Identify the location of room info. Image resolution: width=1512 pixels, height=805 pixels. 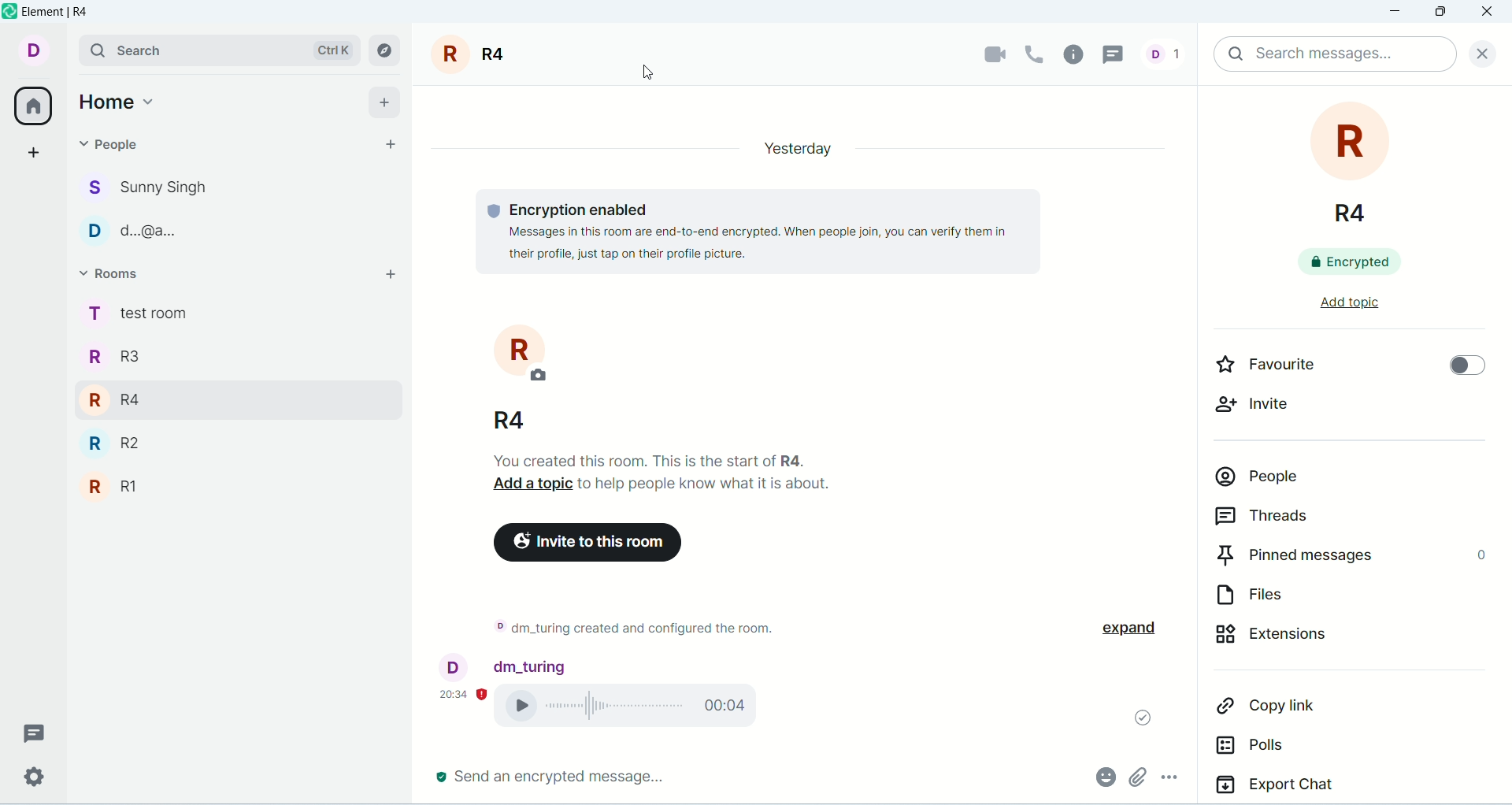
(1078, 54).